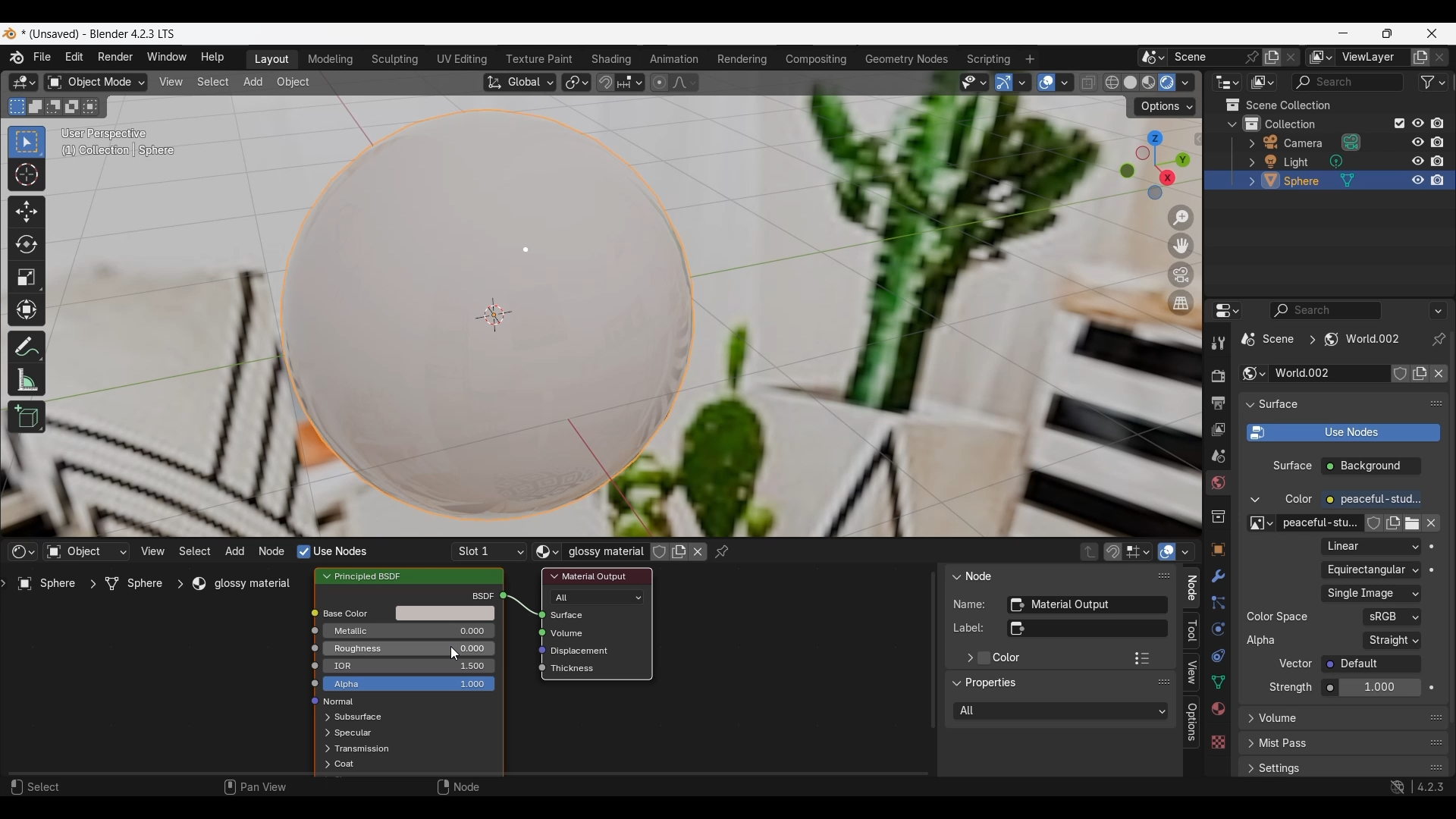 Image resolution: width=1456 pixels, height=819 pixels. Describe the element at coordinates (1191, 588) in the screenshot. I see `Node panel` at that location.